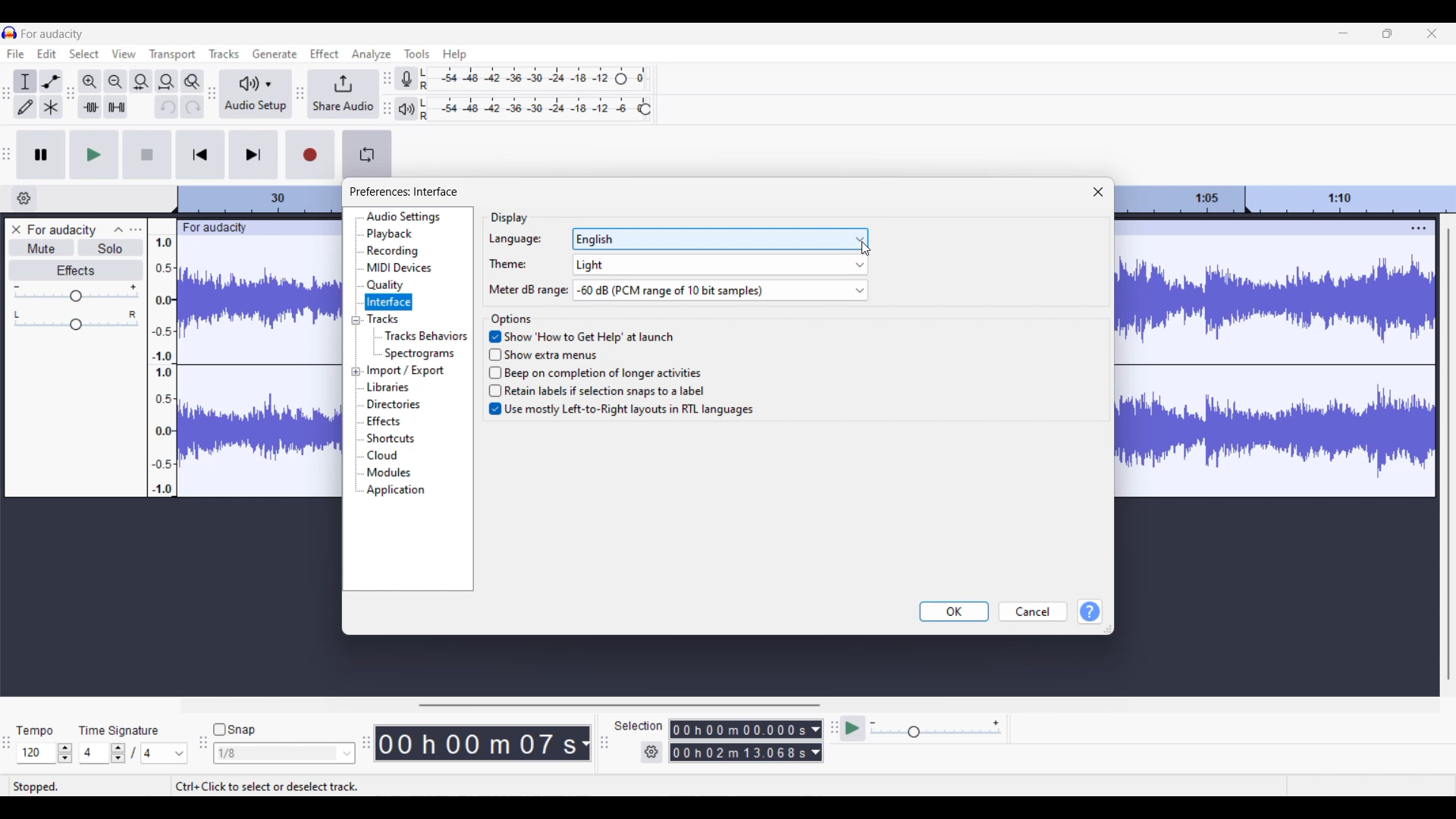 The height and width of the screenshot is (819, 1456). What do you see at coordinates (163, 366) in the screenshot?
I see `Scale to measure intensity of sound` at bounding box center [163, 366].